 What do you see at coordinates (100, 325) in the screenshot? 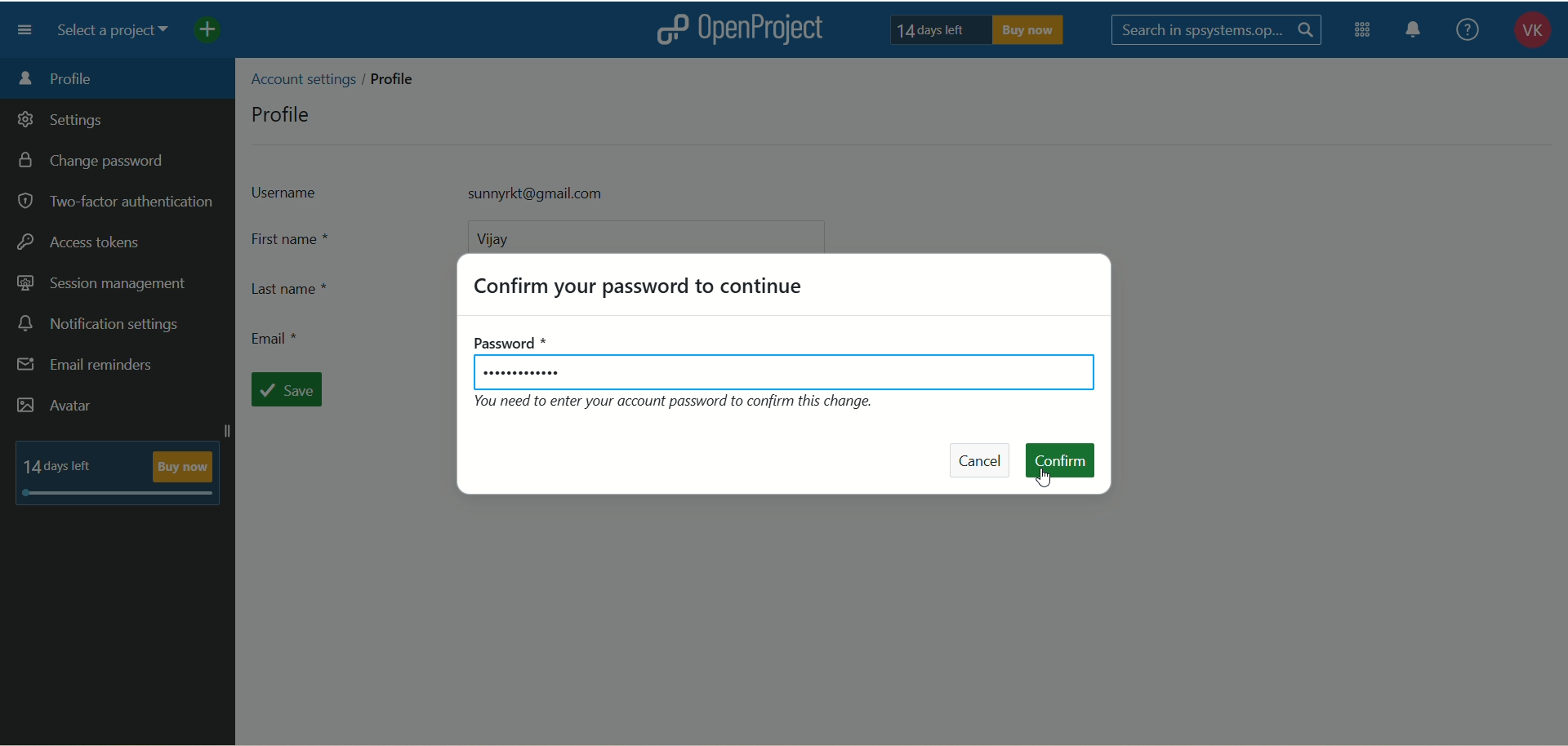
I see `notification settings` at bounding box center [100, 325].